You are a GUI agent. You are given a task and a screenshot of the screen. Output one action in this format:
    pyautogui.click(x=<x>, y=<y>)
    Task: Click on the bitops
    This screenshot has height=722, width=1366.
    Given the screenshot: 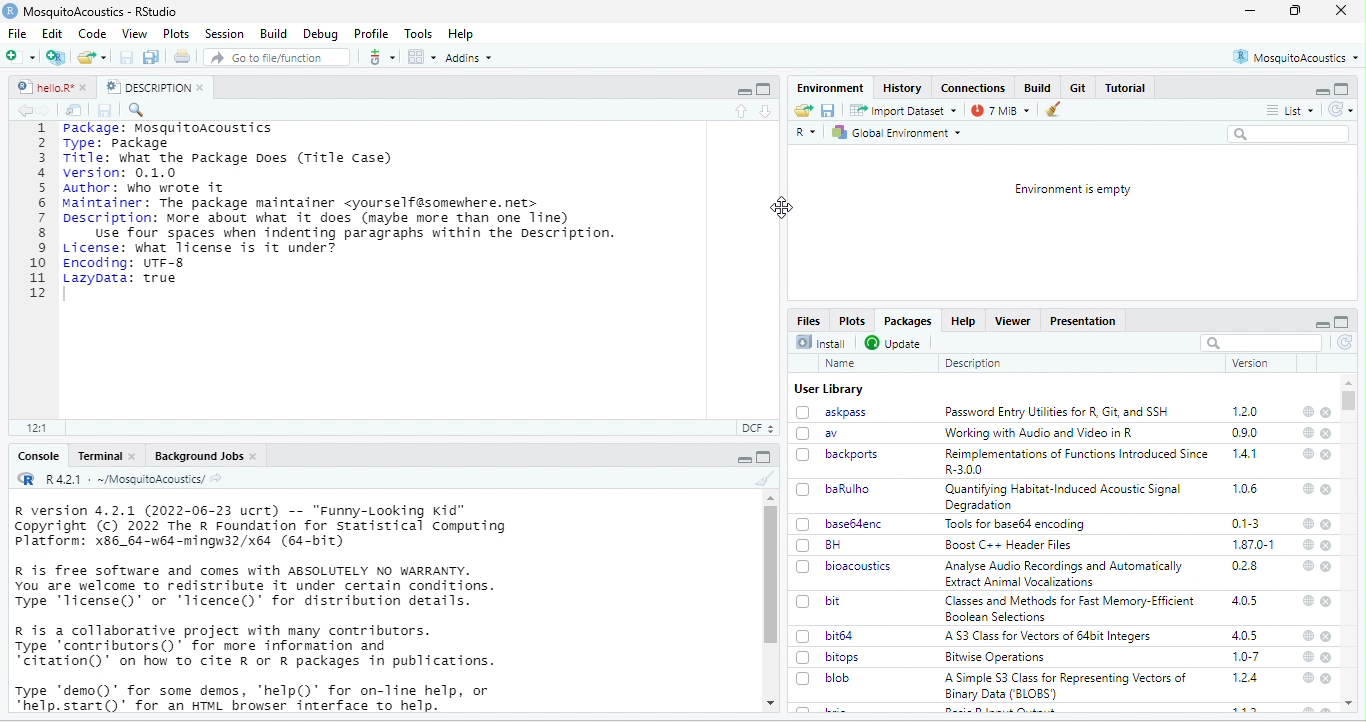 What is the action you would take?
    pyautogui.click(x=830, y=658)
    